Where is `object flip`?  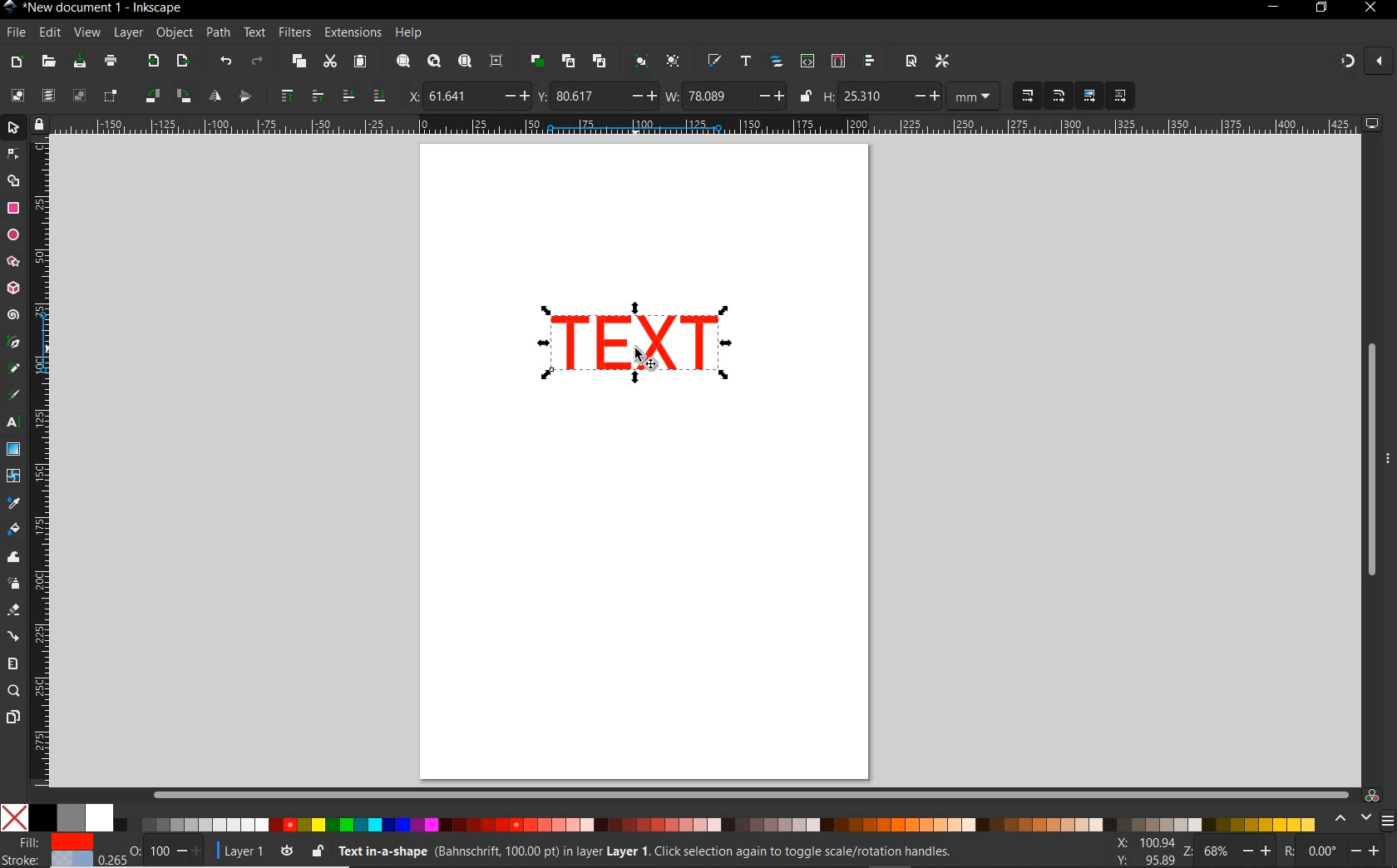 object flip is located at coordinates (228, 96).